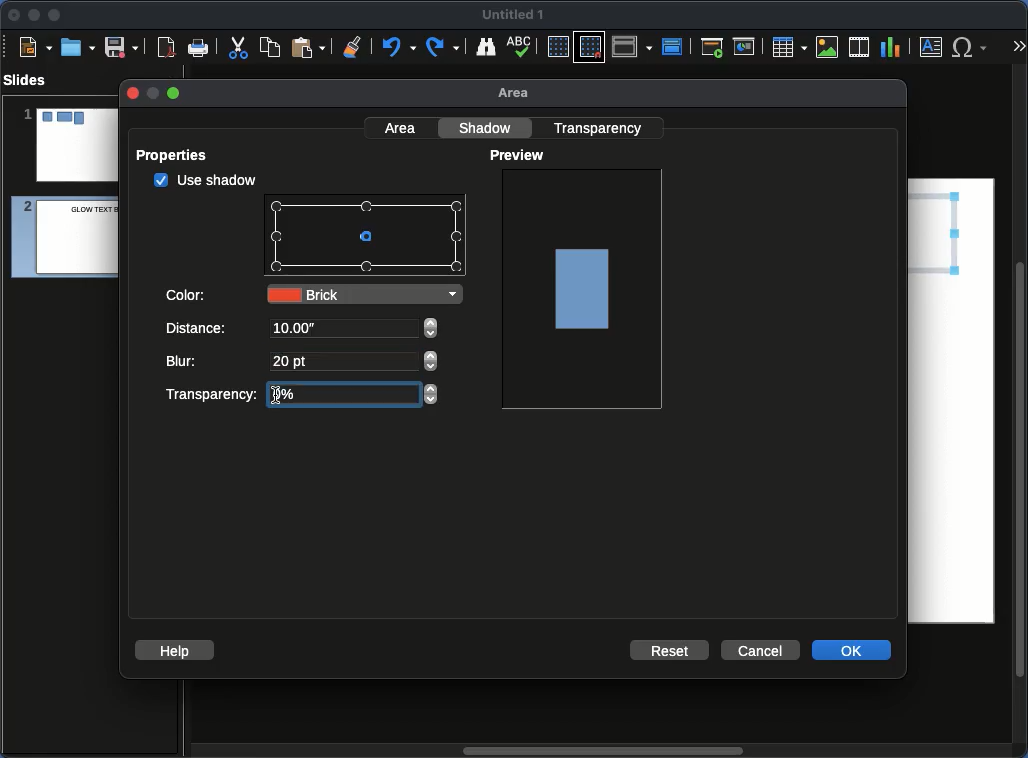 Image resolution: width=1028 pixels, height=758 pixels. I want to click on Textbox, so click(932, 46).